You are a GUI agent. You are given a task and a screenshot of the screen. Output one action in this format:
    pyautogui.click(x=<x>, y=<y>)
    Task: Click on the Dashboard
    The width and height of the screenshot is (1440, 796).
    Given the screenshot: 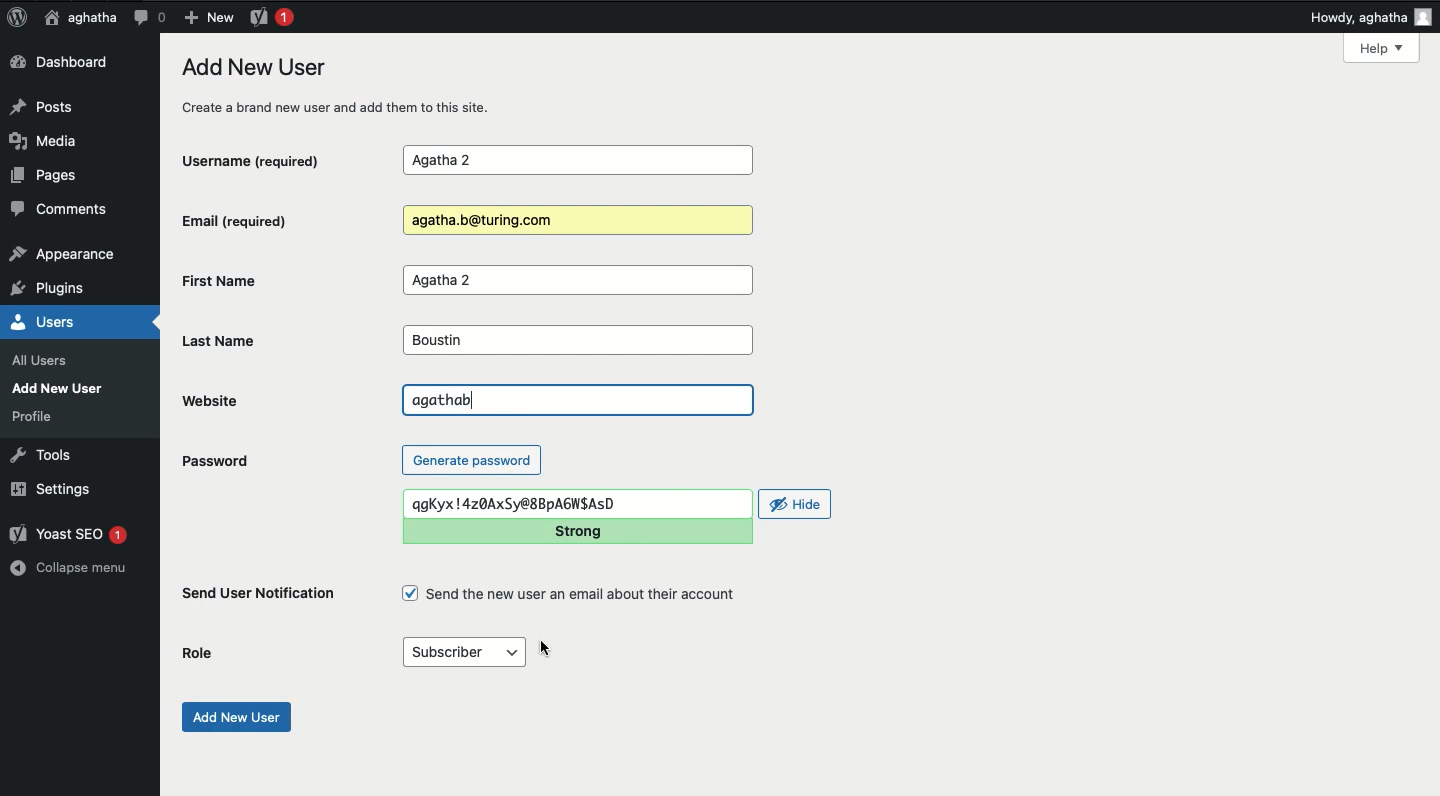 What is the action you would take?
    pyautogui.click(x=65, y=63)
    